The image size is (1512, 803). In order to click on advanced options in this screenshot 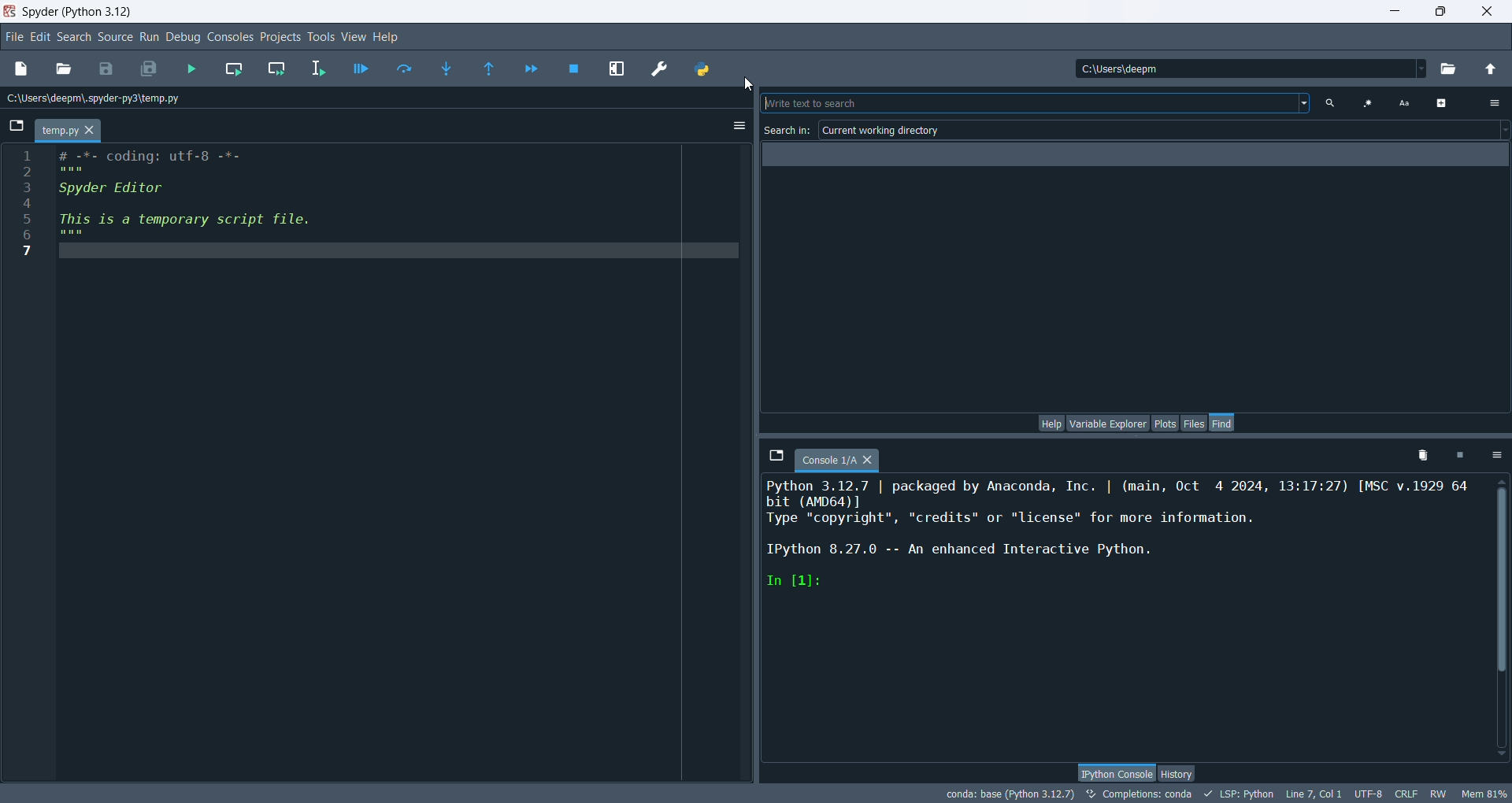, I will do `click(1443, 102)`.